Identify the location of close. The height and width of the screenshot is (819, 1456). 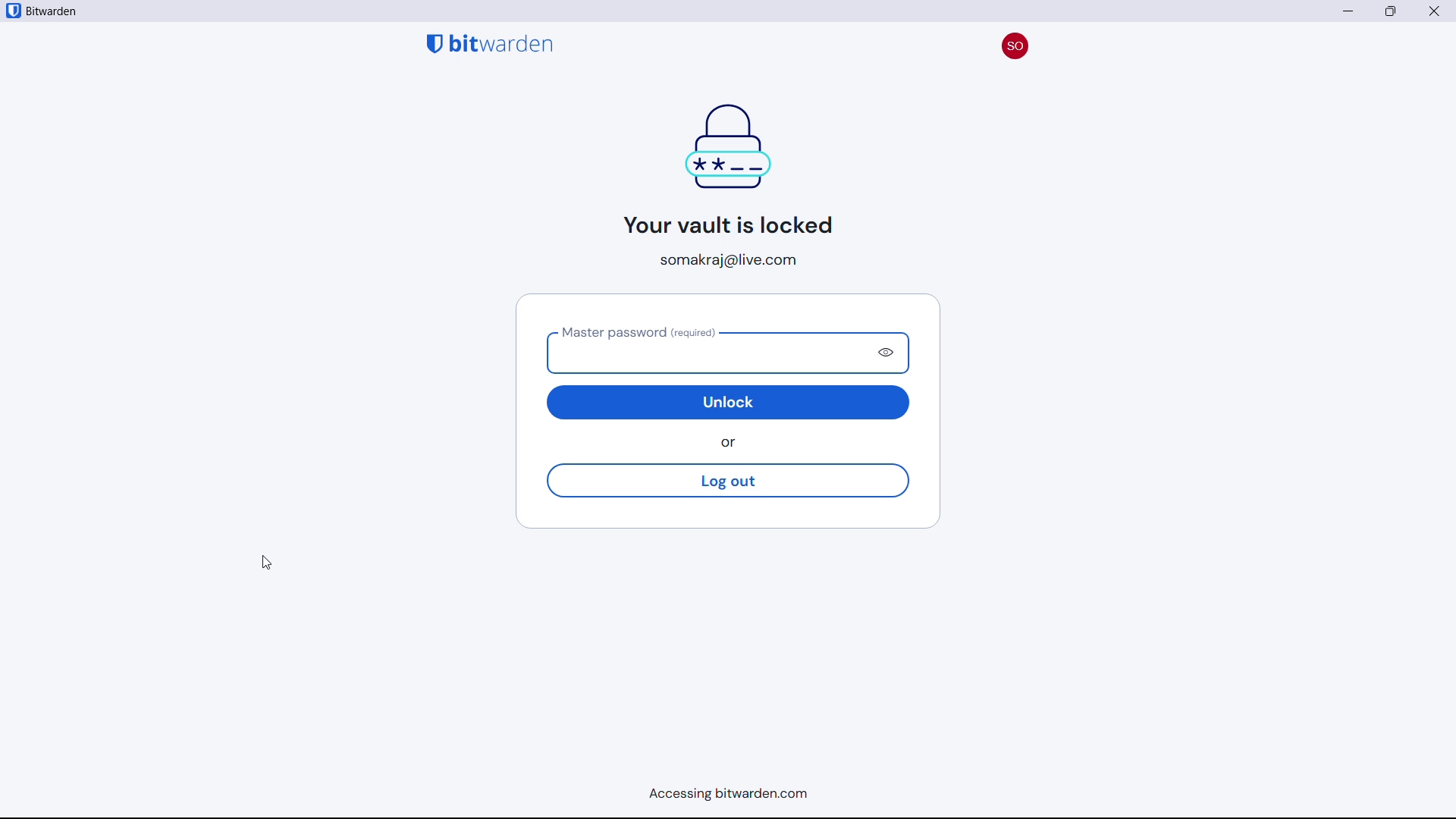
(1435, 11).